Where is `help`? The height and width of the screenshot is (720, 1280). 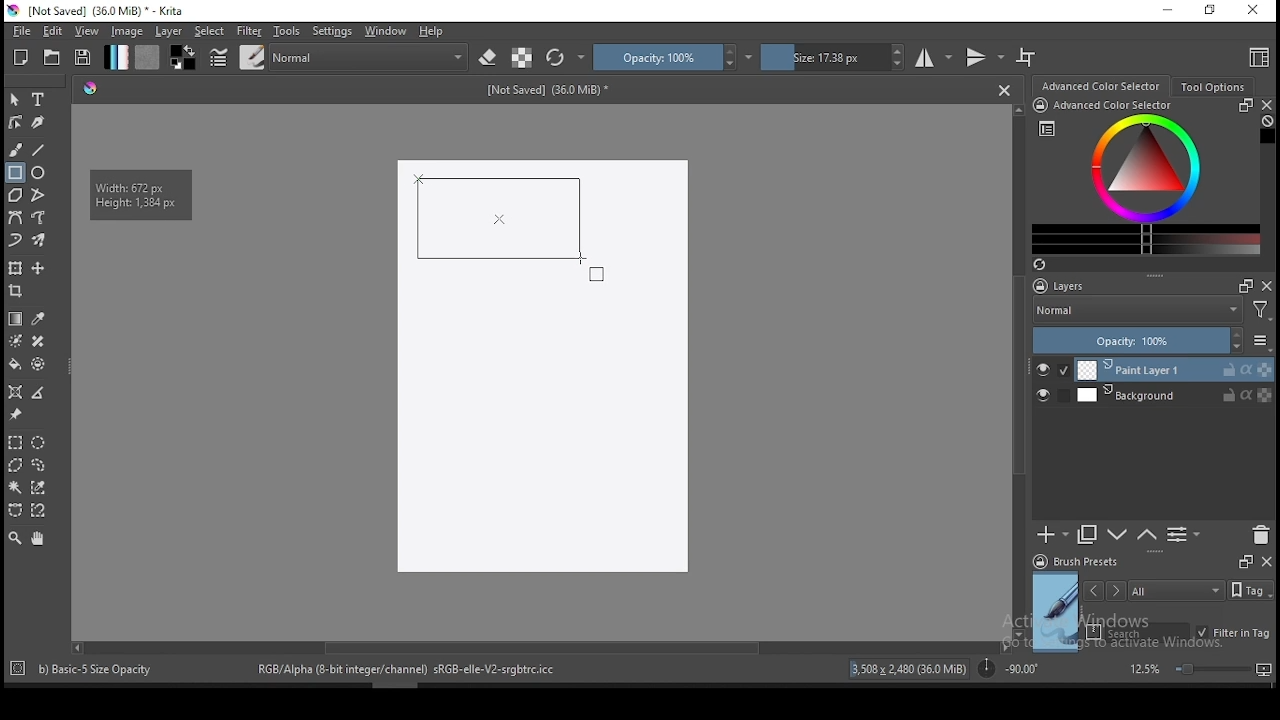 help is located at coordinates (435, 32).